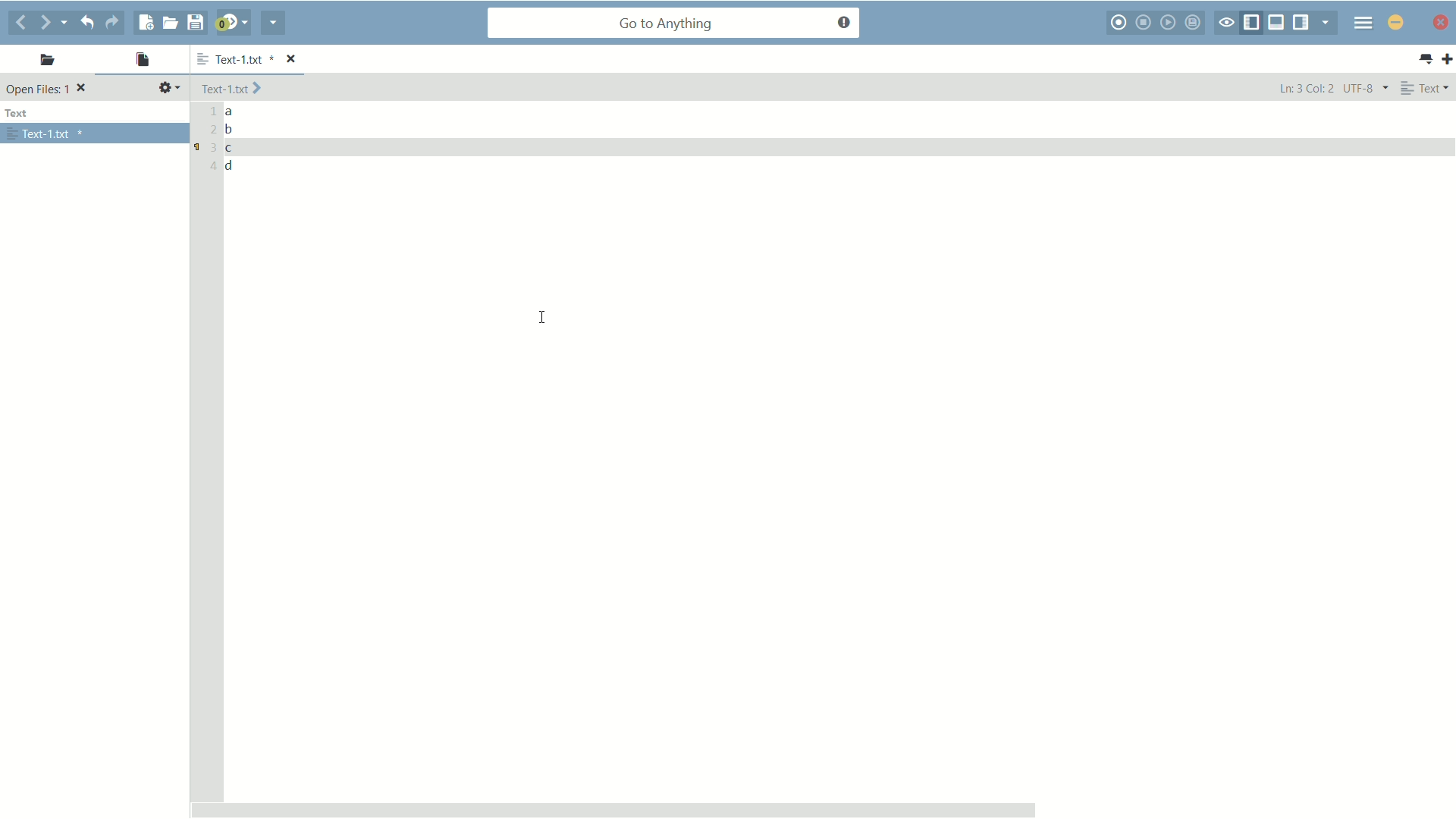 The image size is (1456, 819). I want to click on all tabs, so click(1426, 59).